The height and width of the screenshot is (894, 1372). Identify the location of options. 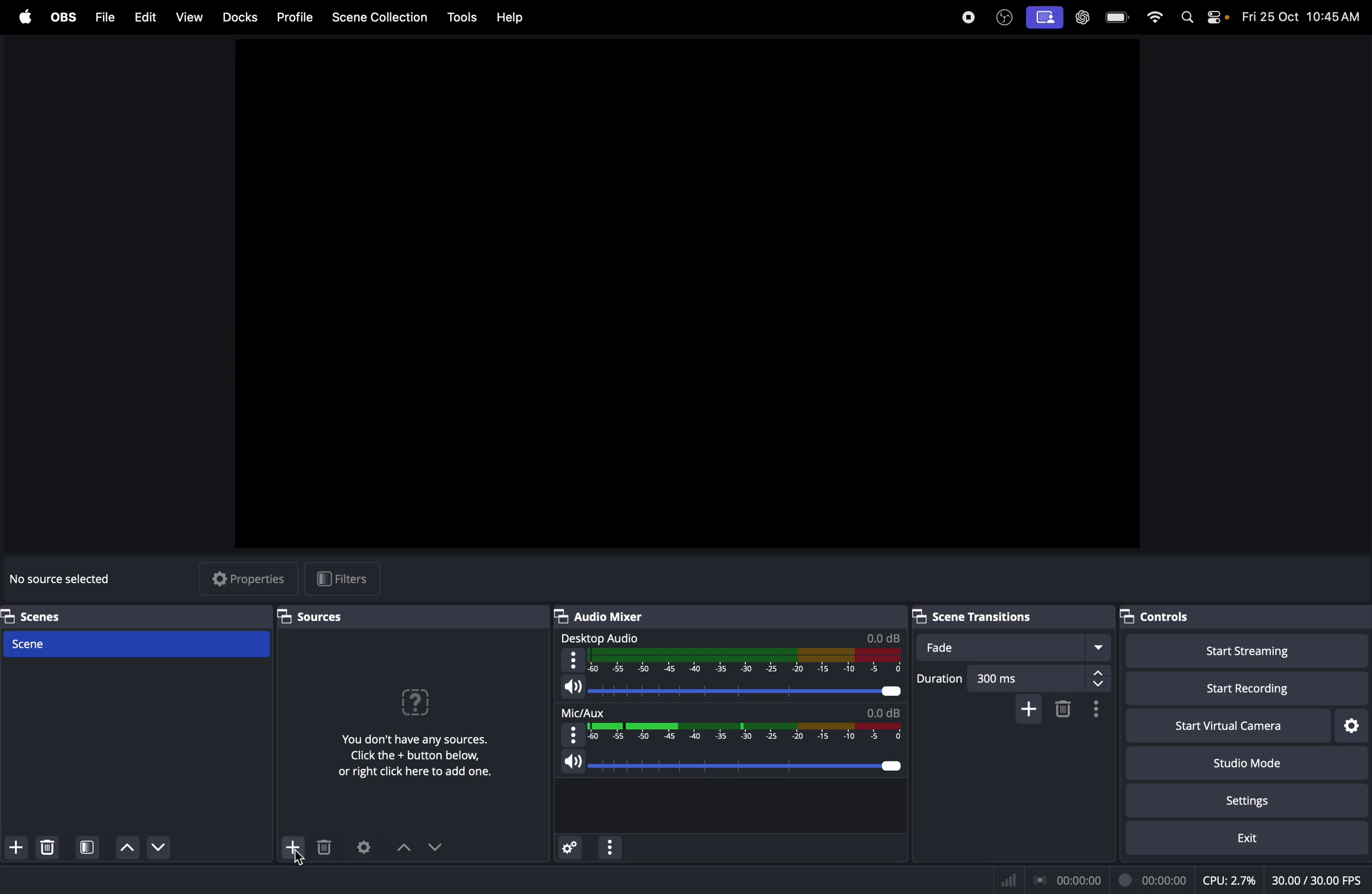
(610, 847).